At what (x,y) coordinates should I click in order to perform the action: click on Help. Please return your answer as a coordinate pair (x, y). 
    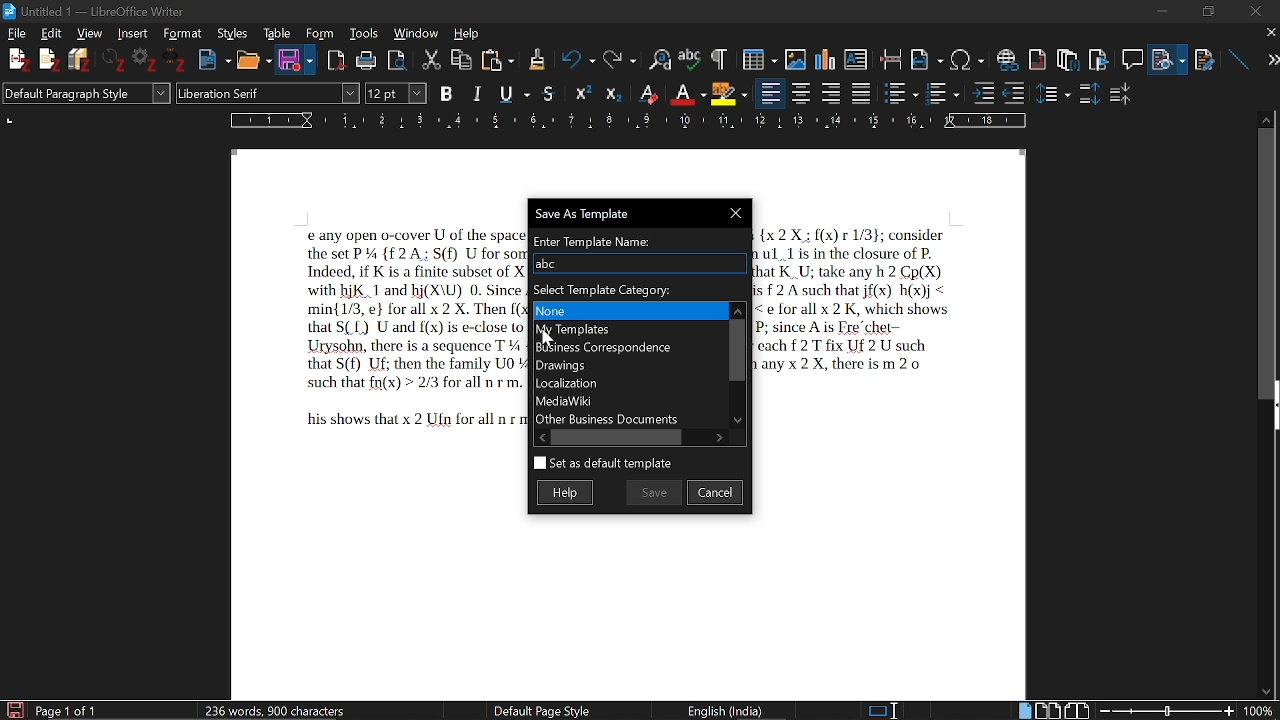
    Looking at the image, I should click on (467, 32).